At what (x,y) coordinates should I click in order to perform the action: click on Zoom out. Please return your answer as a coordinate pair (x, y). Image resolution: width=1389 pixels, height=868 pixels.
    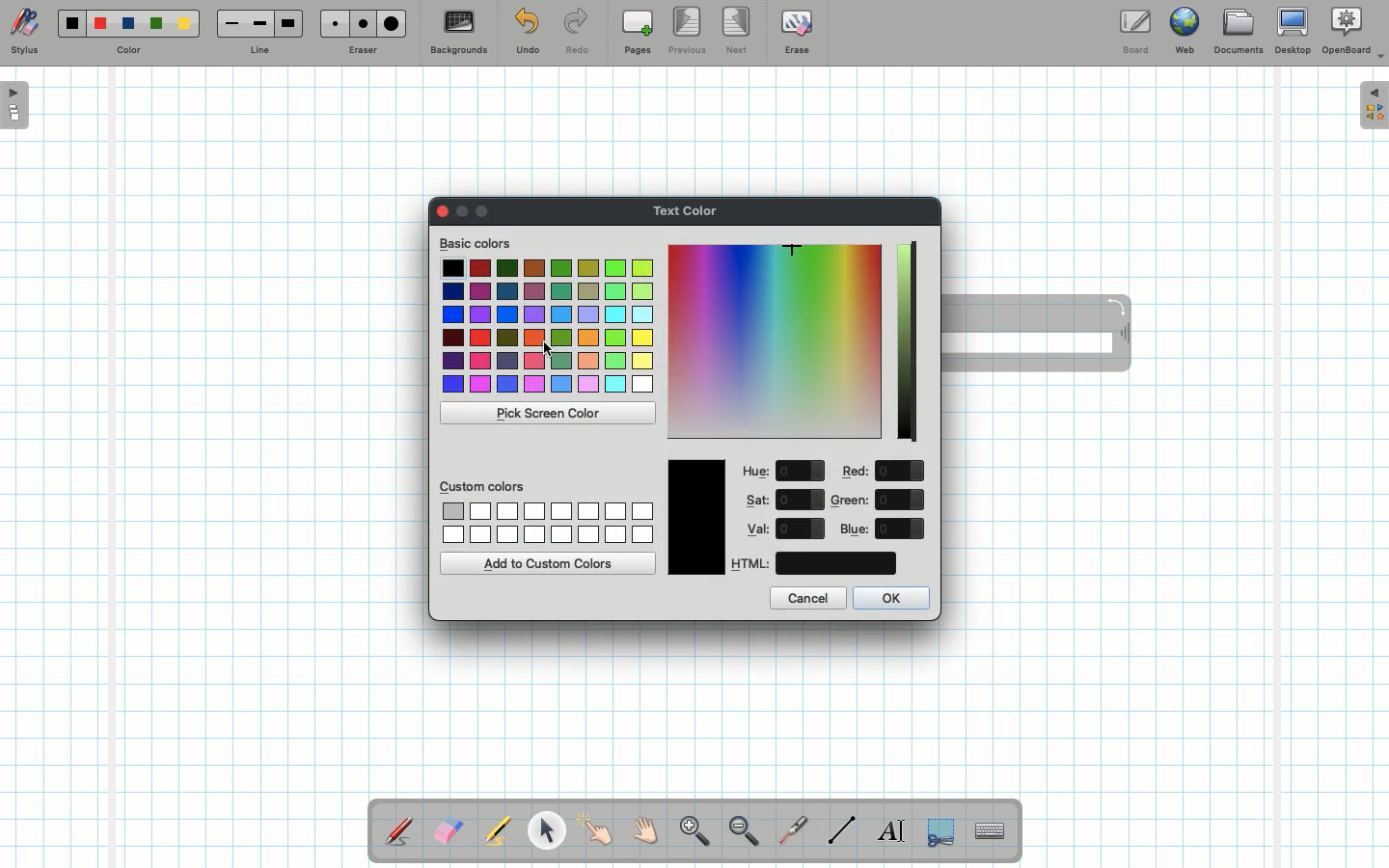
    Looking at the image, I should click on (744, 832).